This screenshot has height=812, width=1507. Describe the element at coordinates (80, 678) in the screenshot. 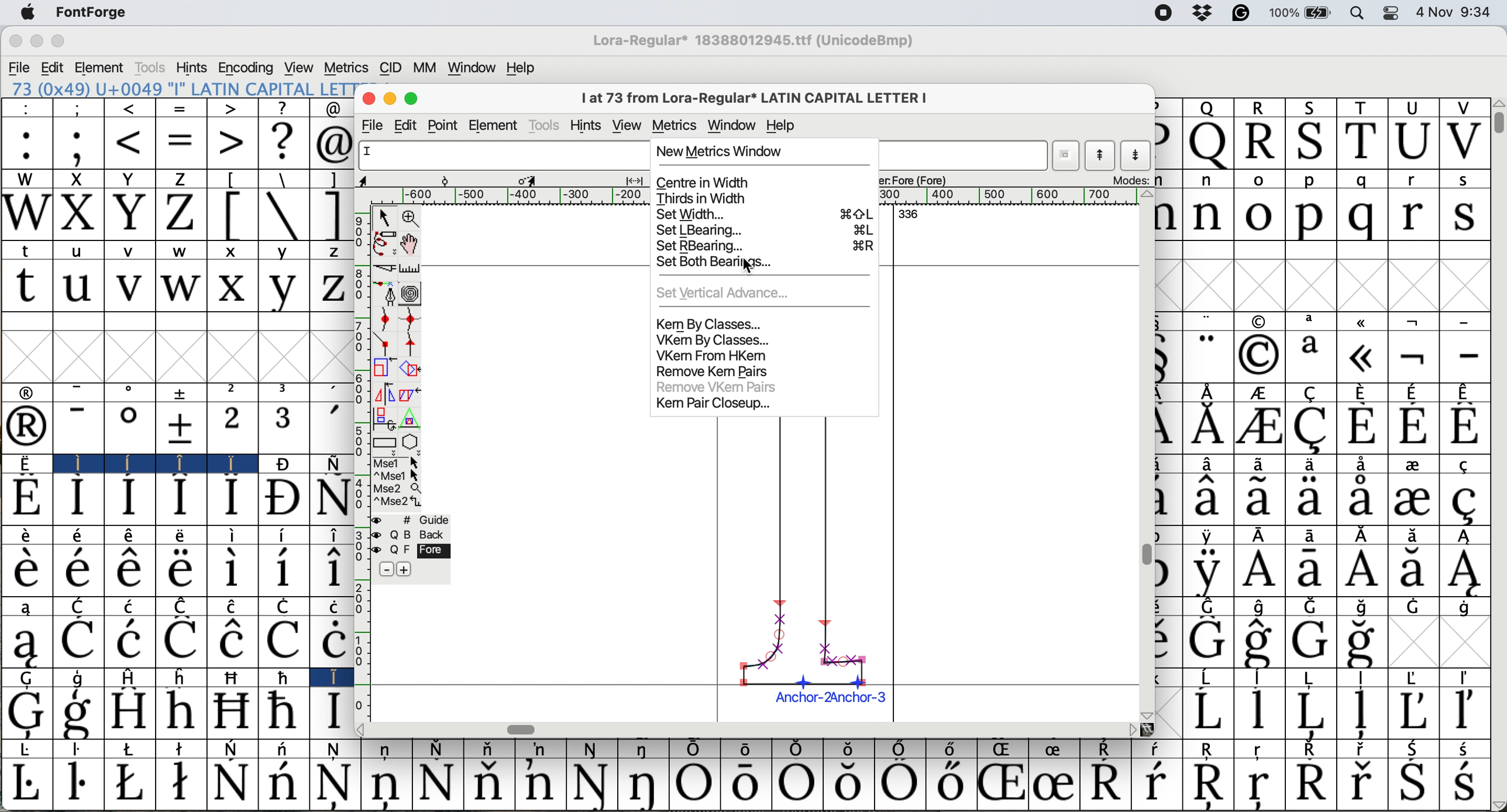

I see `g` at that location.